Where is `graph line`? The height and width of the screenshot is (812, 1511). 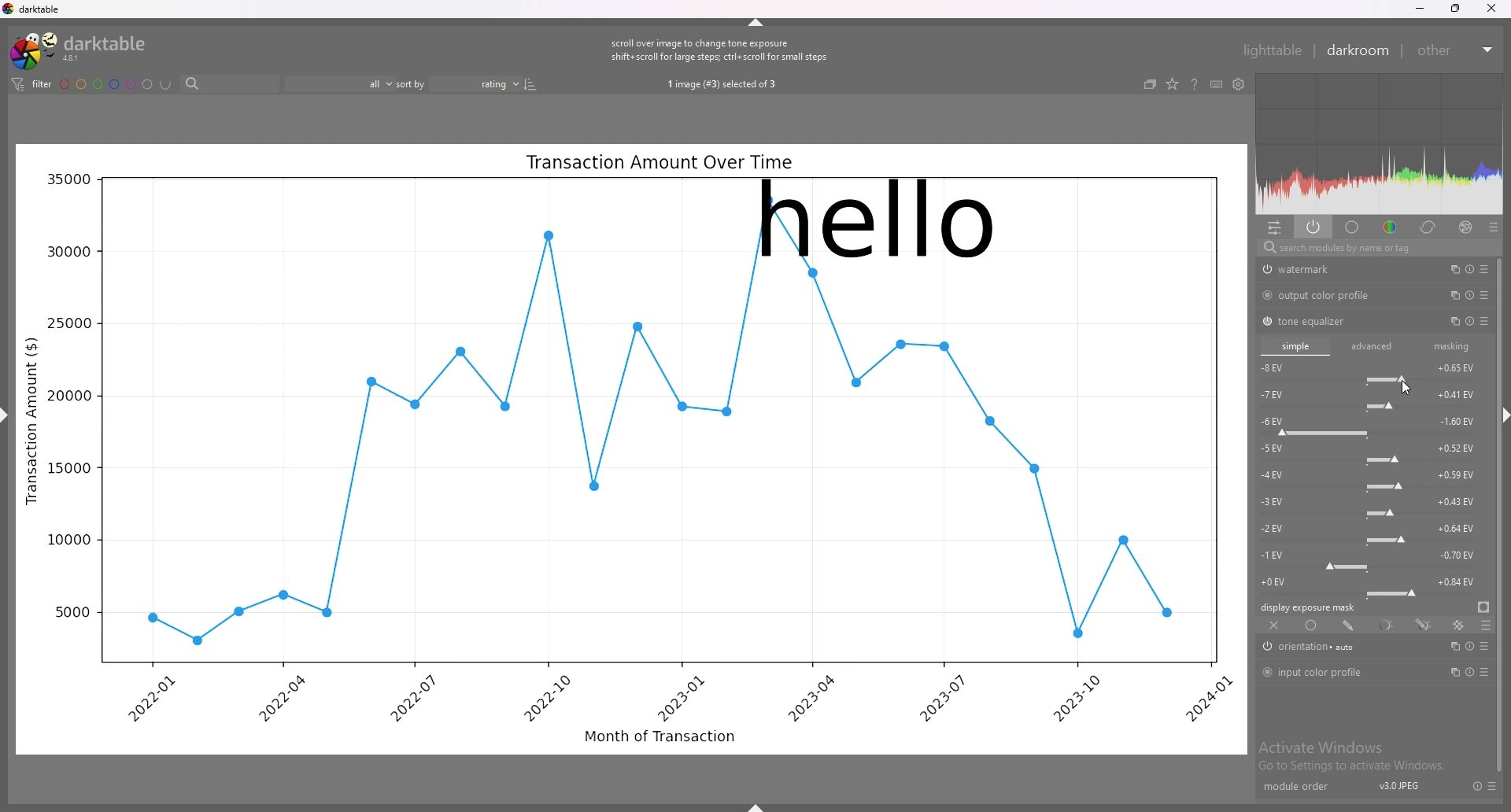
graph line is located at coordinates (664, 463).